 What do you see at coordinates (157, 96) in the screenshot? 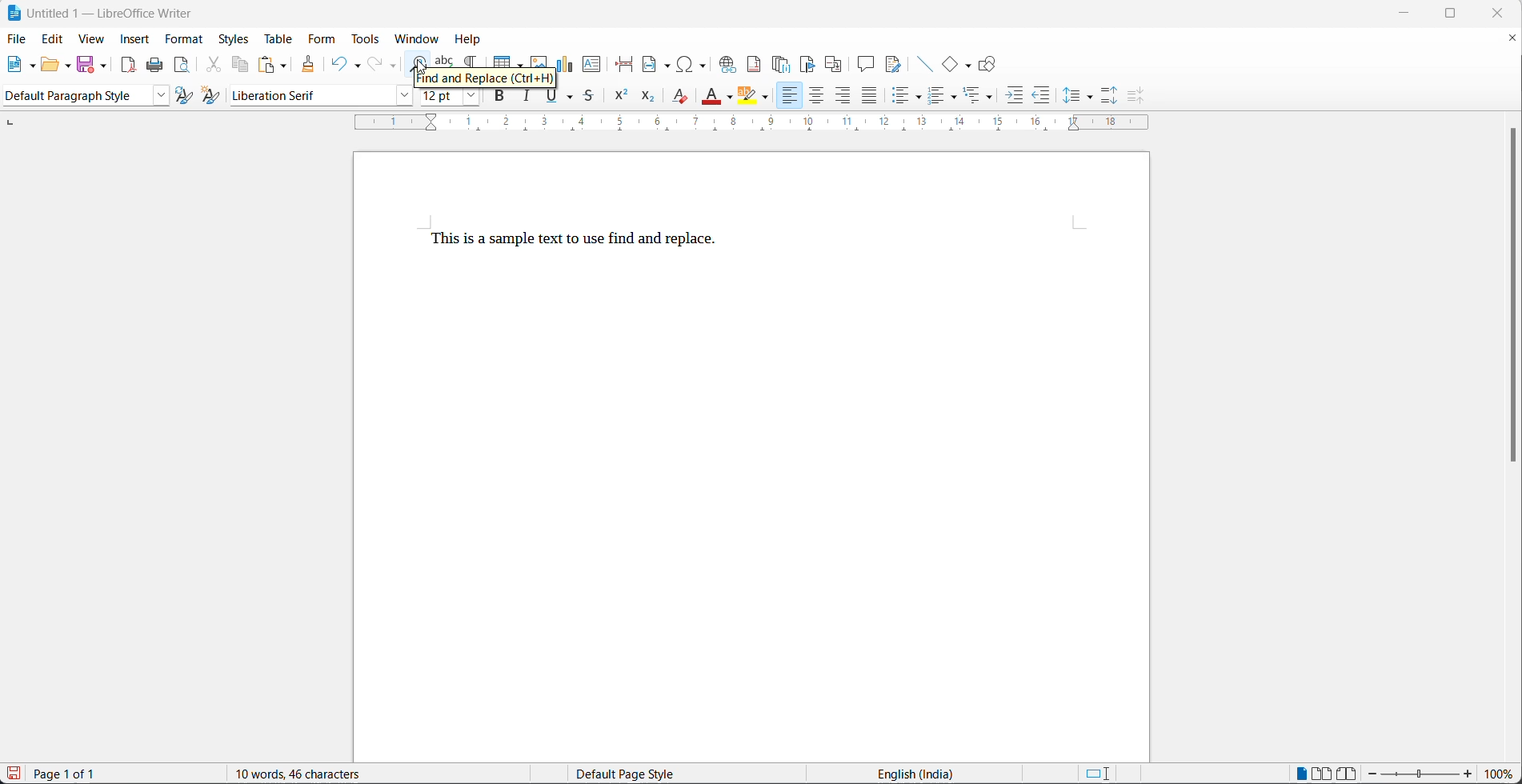
I see `style options` at bounding box center [157, 96].